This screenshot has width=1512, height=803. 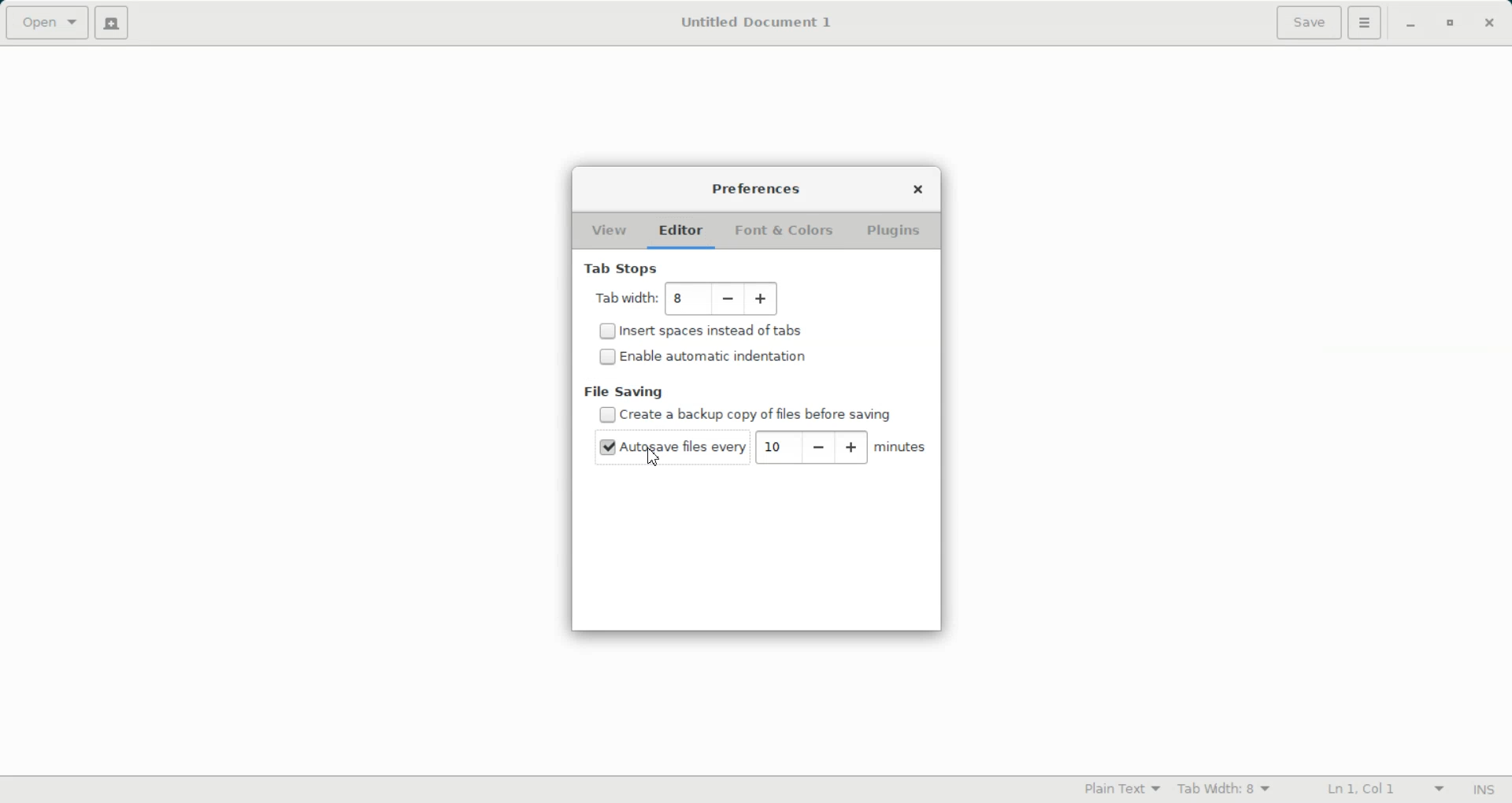 What do you see at coordinates (1223, 789) in the screenshot?
I see `Tab Width` at bounding box center [1223, 789].